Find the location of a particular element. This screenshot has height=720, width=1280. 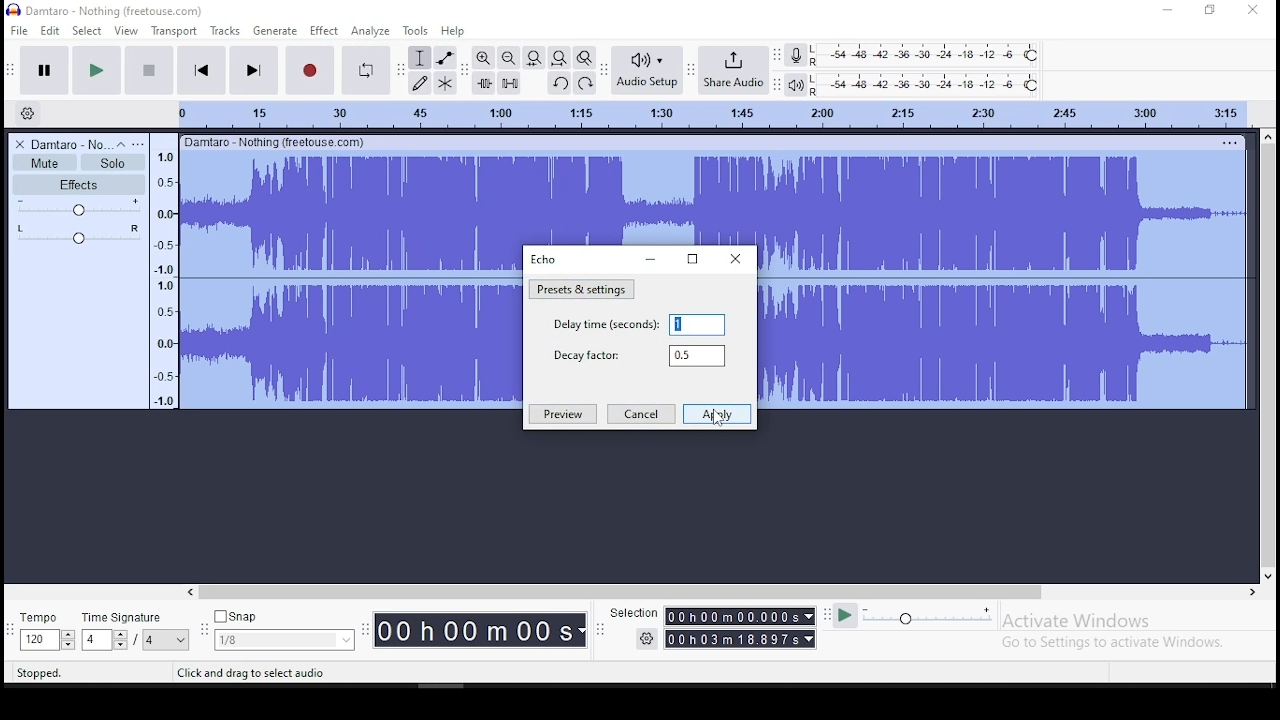

echo is located at coordinates (545, 258).